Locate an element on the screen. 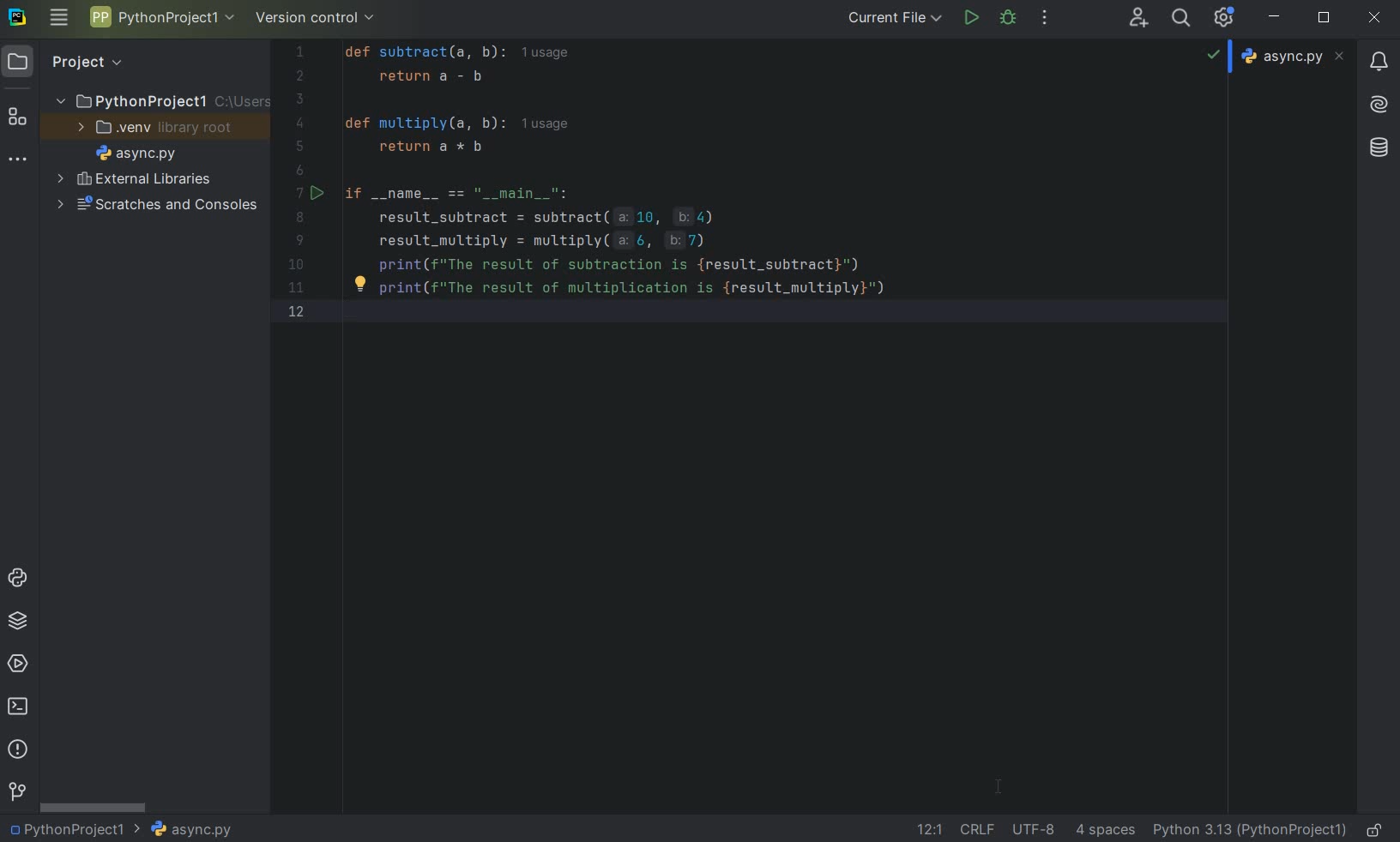 The height and width of the screenshot is (842, 1400). restore down is located at coordinates (1326, 18).